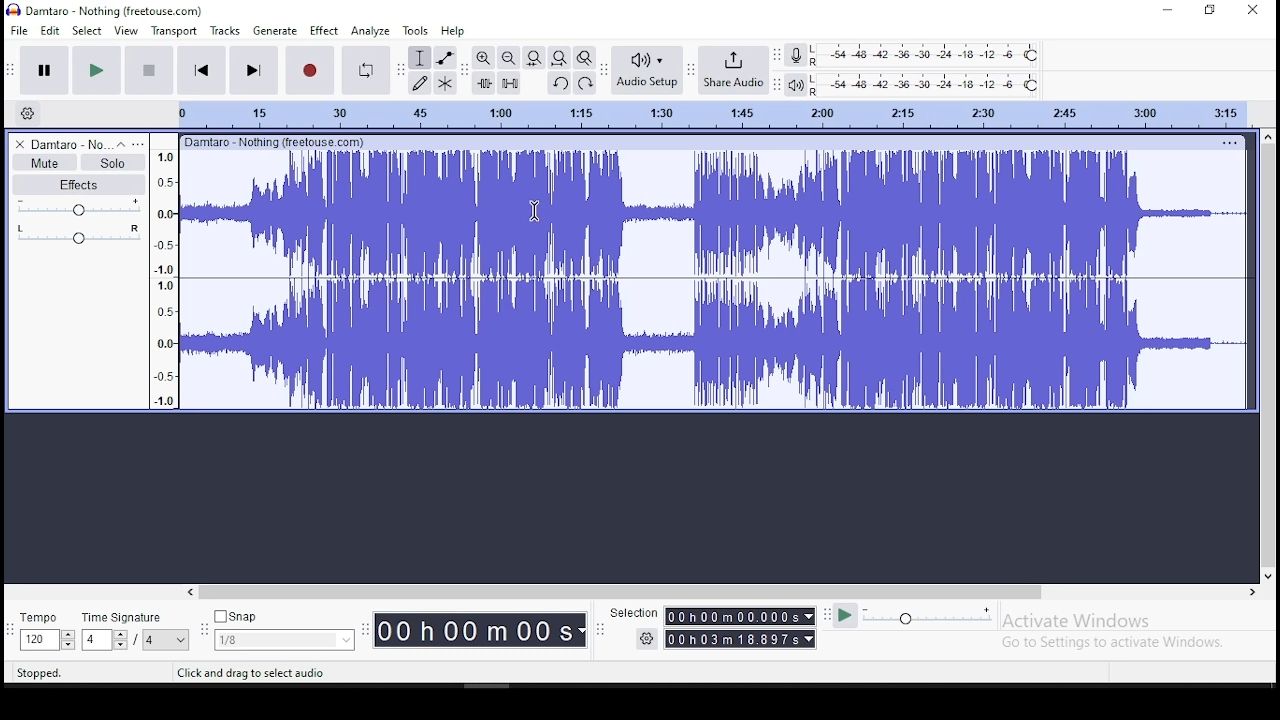 This screenshot has width=1280, height=720. Describe the element at coordinates (927, 55) in the screenshot. I see `recording level` at that location.